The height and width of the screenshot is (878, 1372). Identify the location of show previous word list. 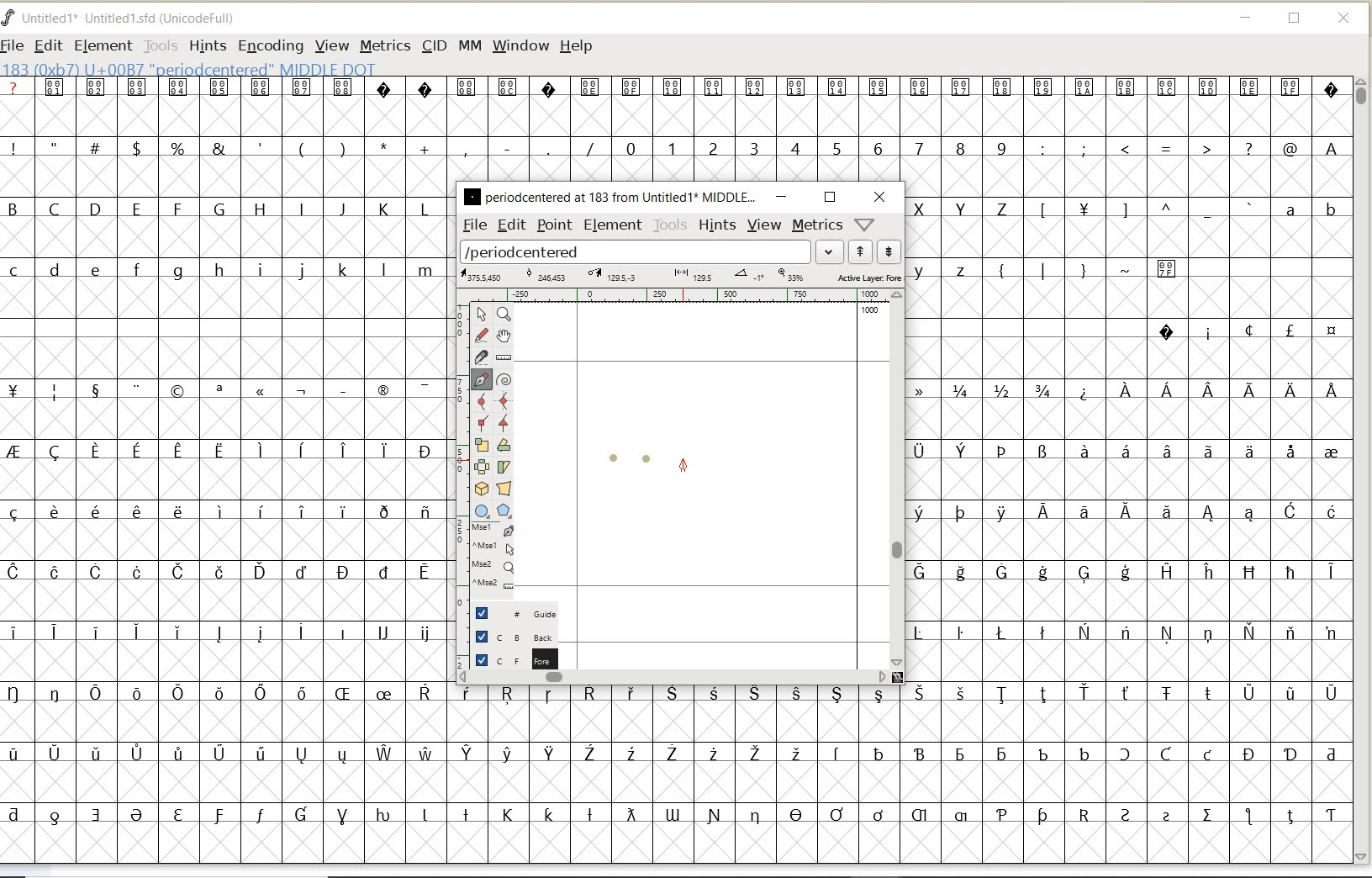
(862, 252).